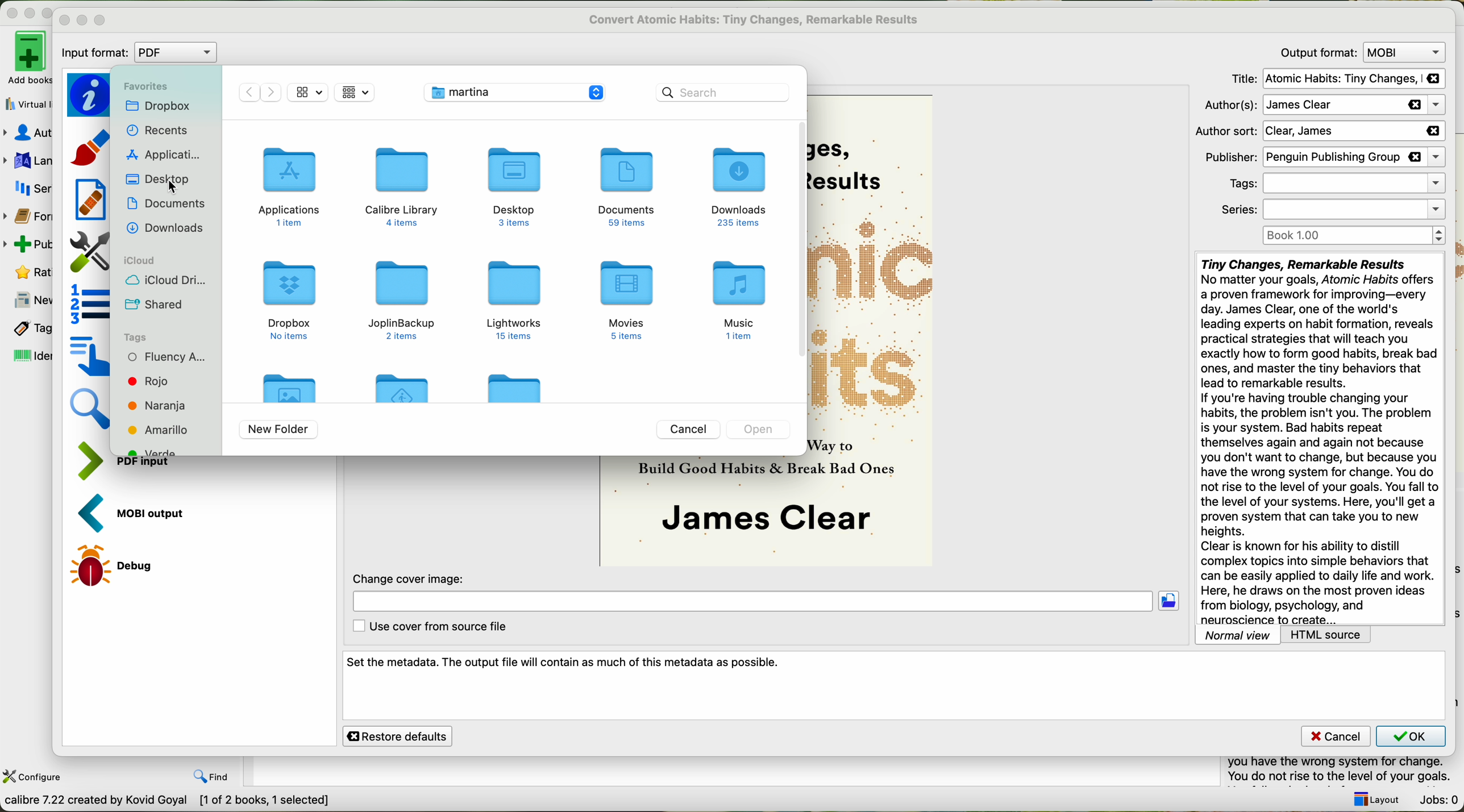 Image resolution: width=1464 pixels, height=812 pixels. Describe the element at coordinates (34, 777) in the screenshot. I see `configure` at that location.